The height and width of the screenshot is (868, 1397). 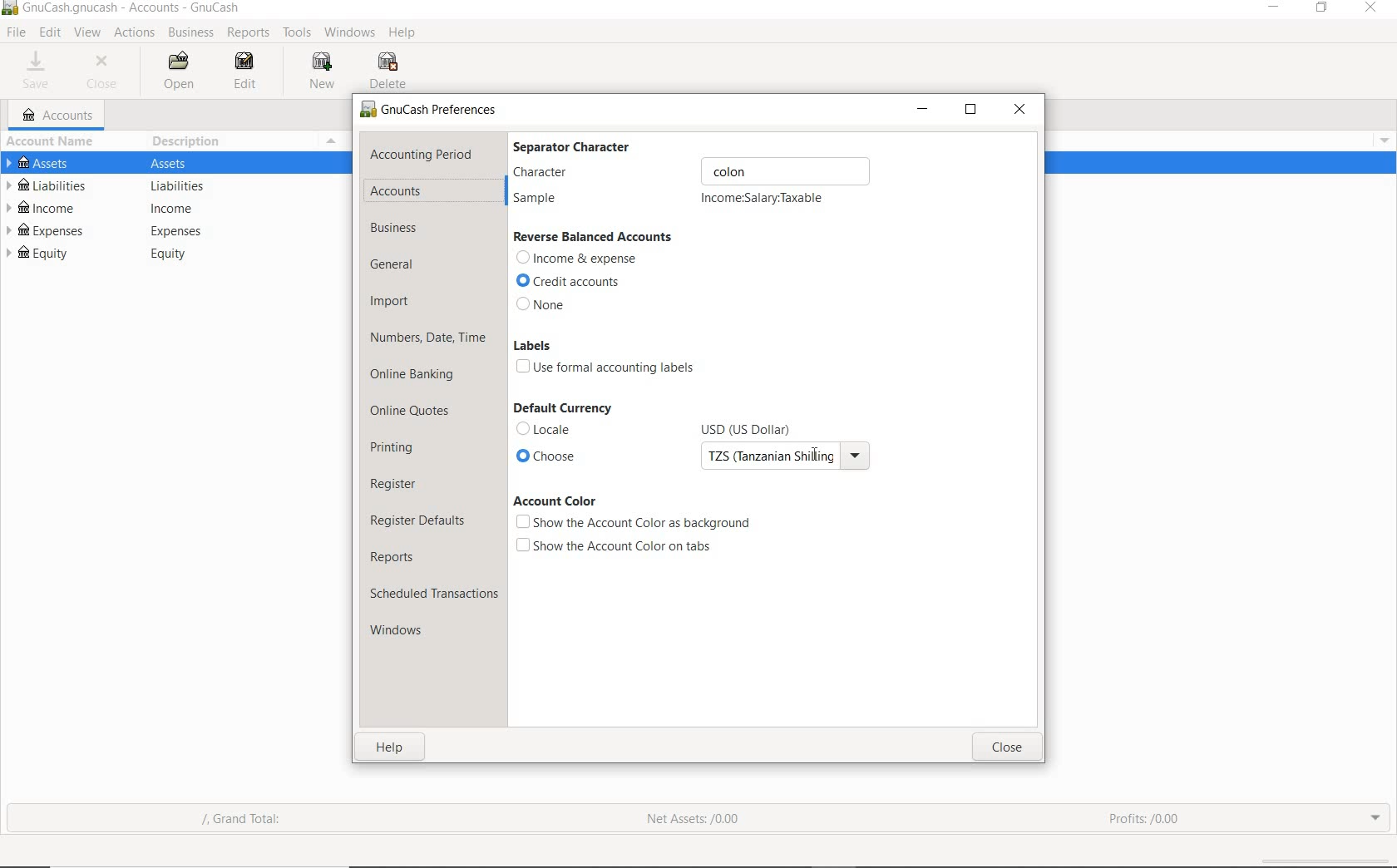 I want to click on Income & expense, so click(x=578, y=259).